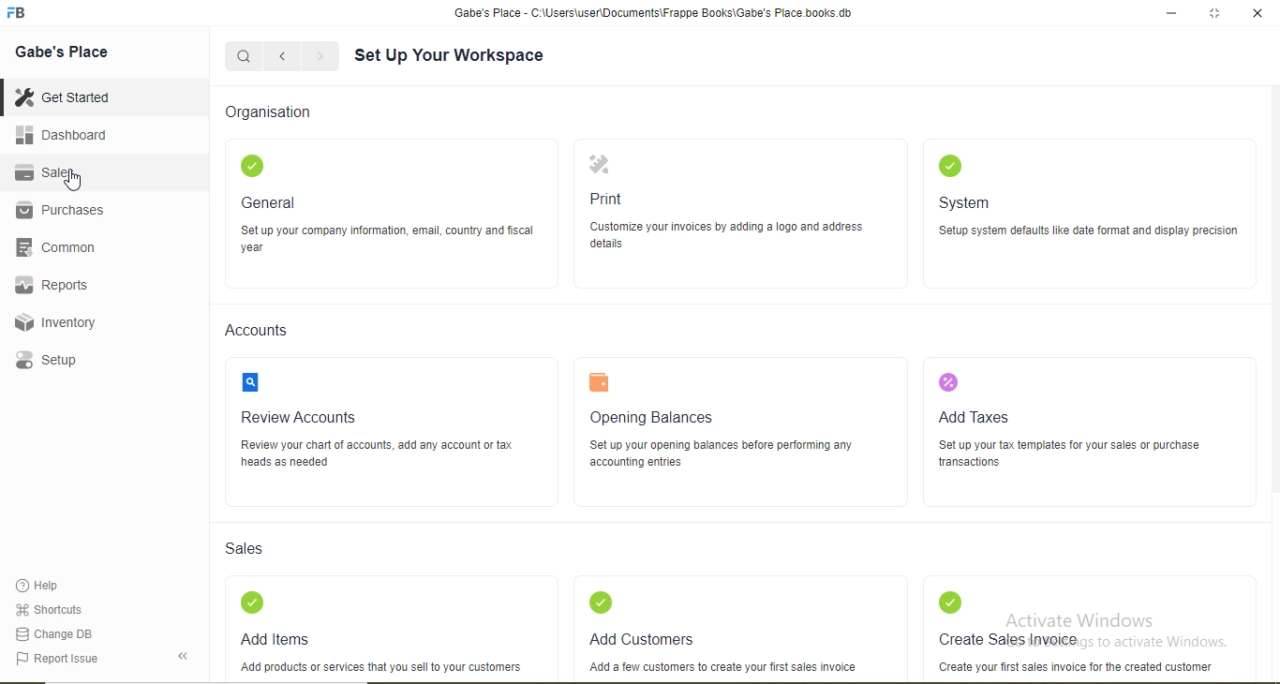 Image resolution: width=1280 pixels, height=684 pixels. Describe the element at coordinates (744, 666) in the screenshot. I see `Add a few customers 10 create your first sales nvoice` at that location.